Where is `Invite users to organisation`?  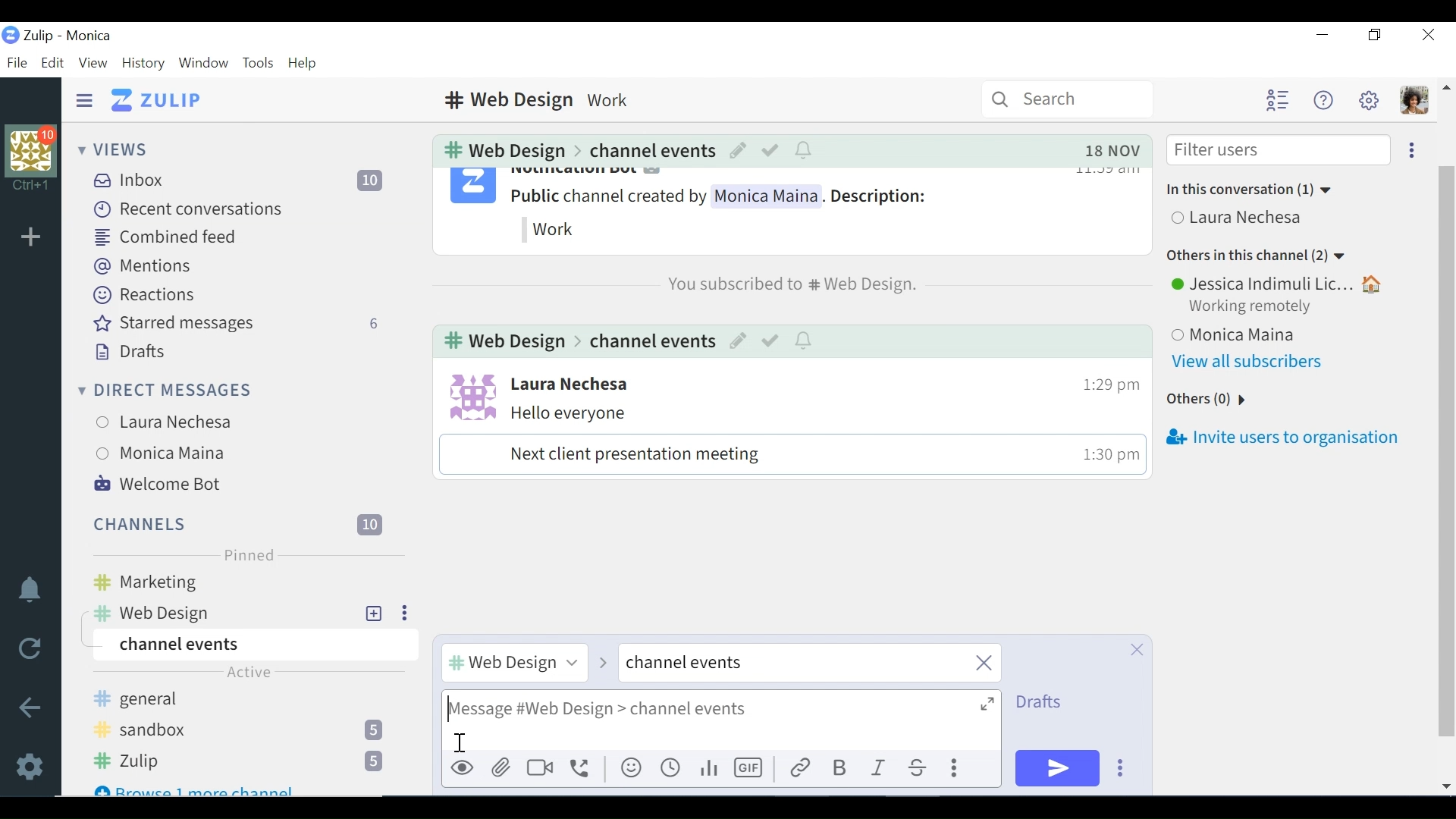
Invite users to organisation is located at coordinates (1281, 440).